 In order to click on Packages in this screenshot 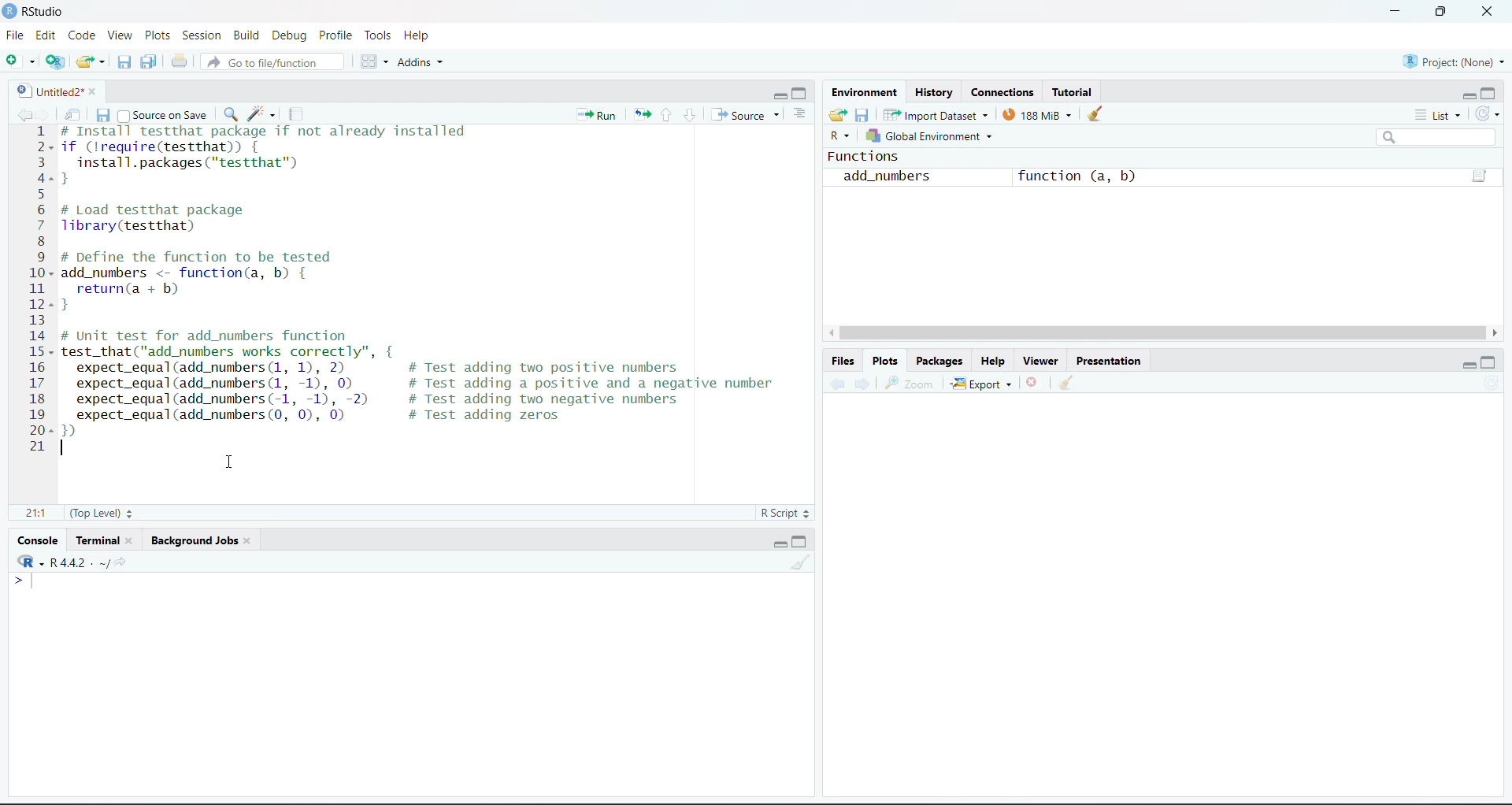, I will do `click(939, 361)`.